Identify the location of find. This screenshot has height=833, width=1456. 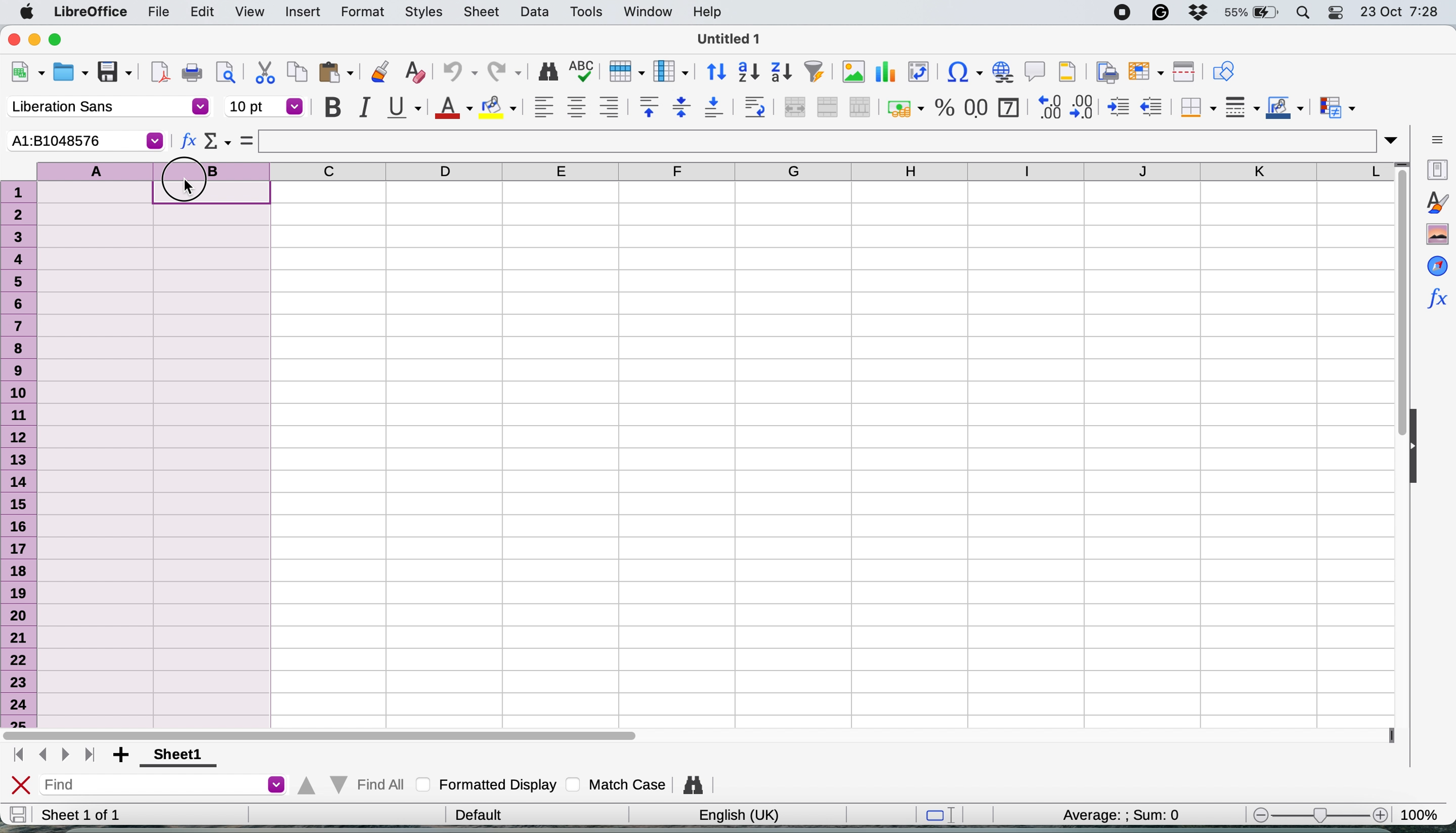
(162, 784).